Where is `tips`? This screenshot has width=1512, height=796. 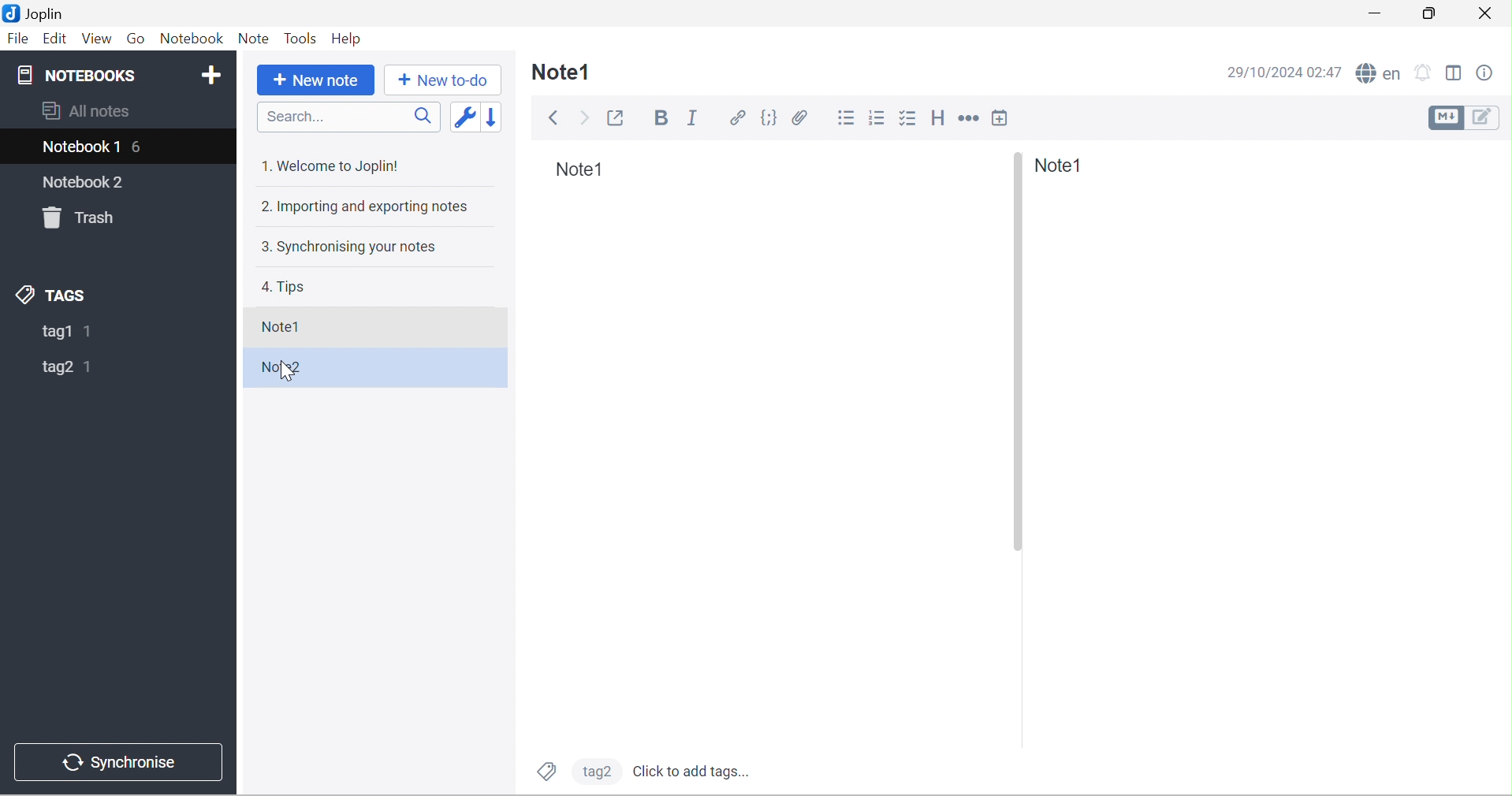 tips is located at coordinates (286, 288).